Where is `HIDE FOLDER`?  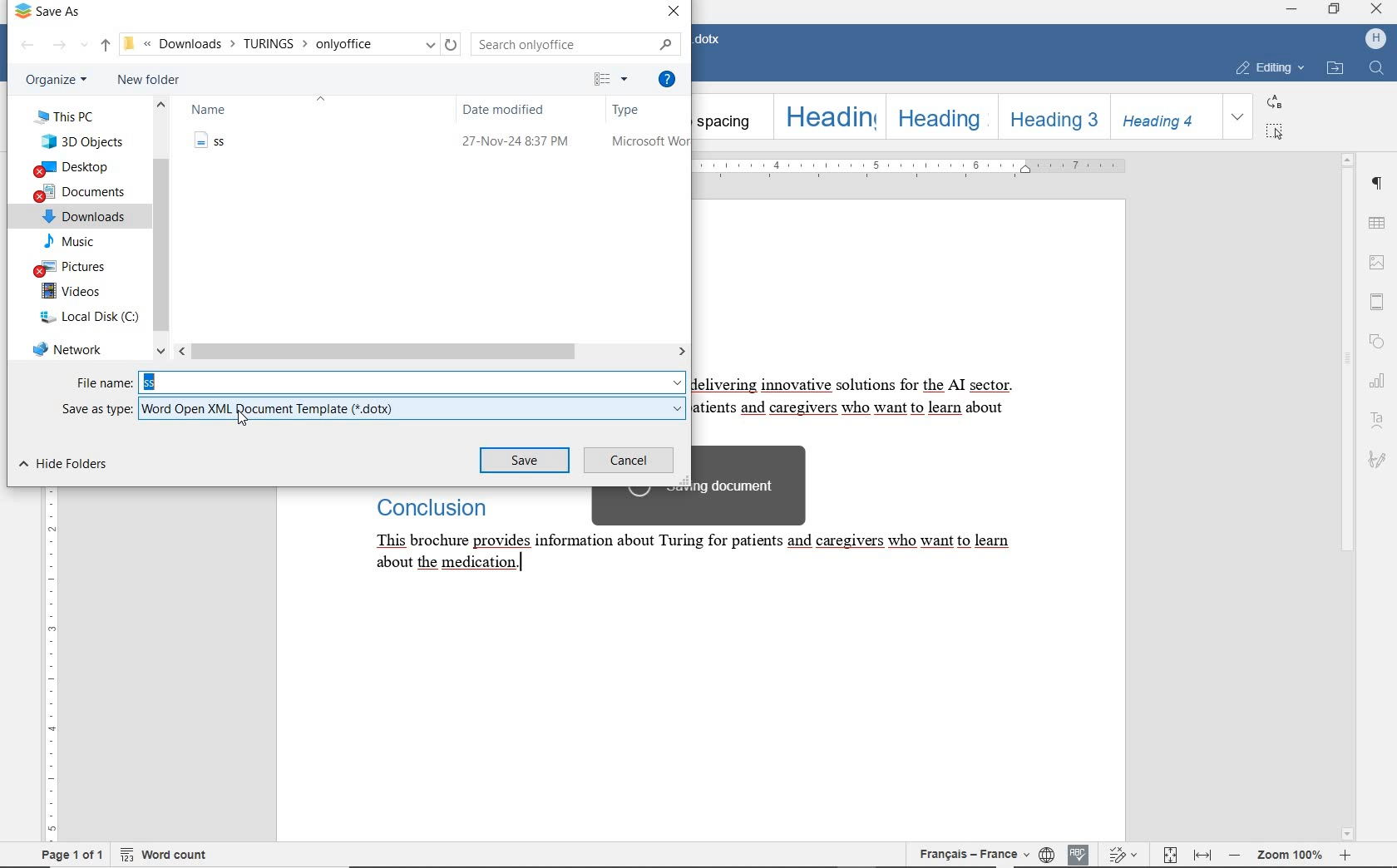
HIDE FOLDER is located at coordinates (69, 465).